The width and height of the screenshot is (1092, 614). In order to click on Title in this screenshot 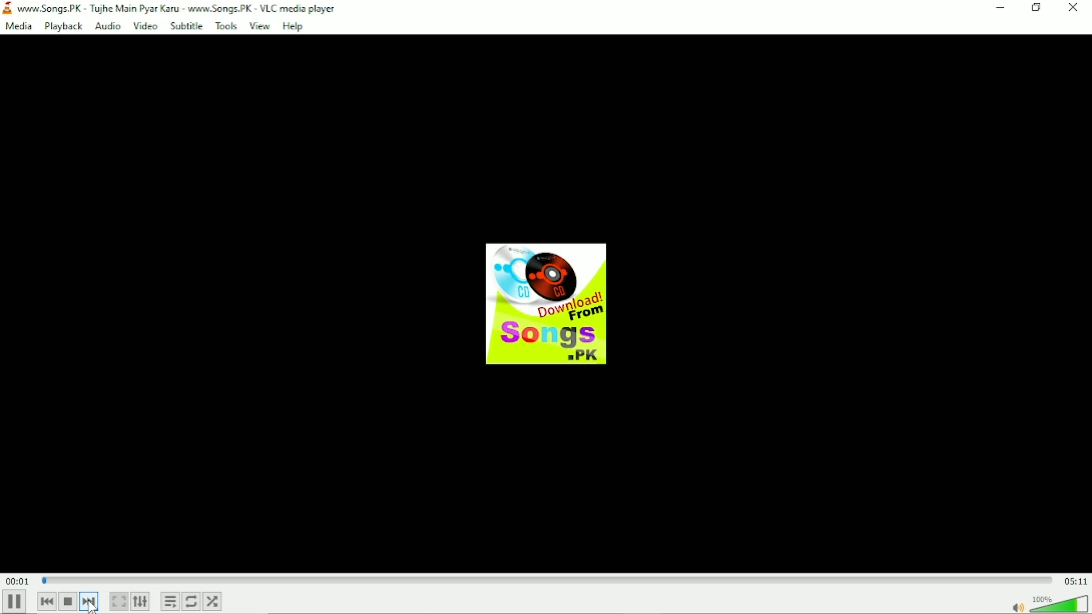, I will do `click(181, 7)`.